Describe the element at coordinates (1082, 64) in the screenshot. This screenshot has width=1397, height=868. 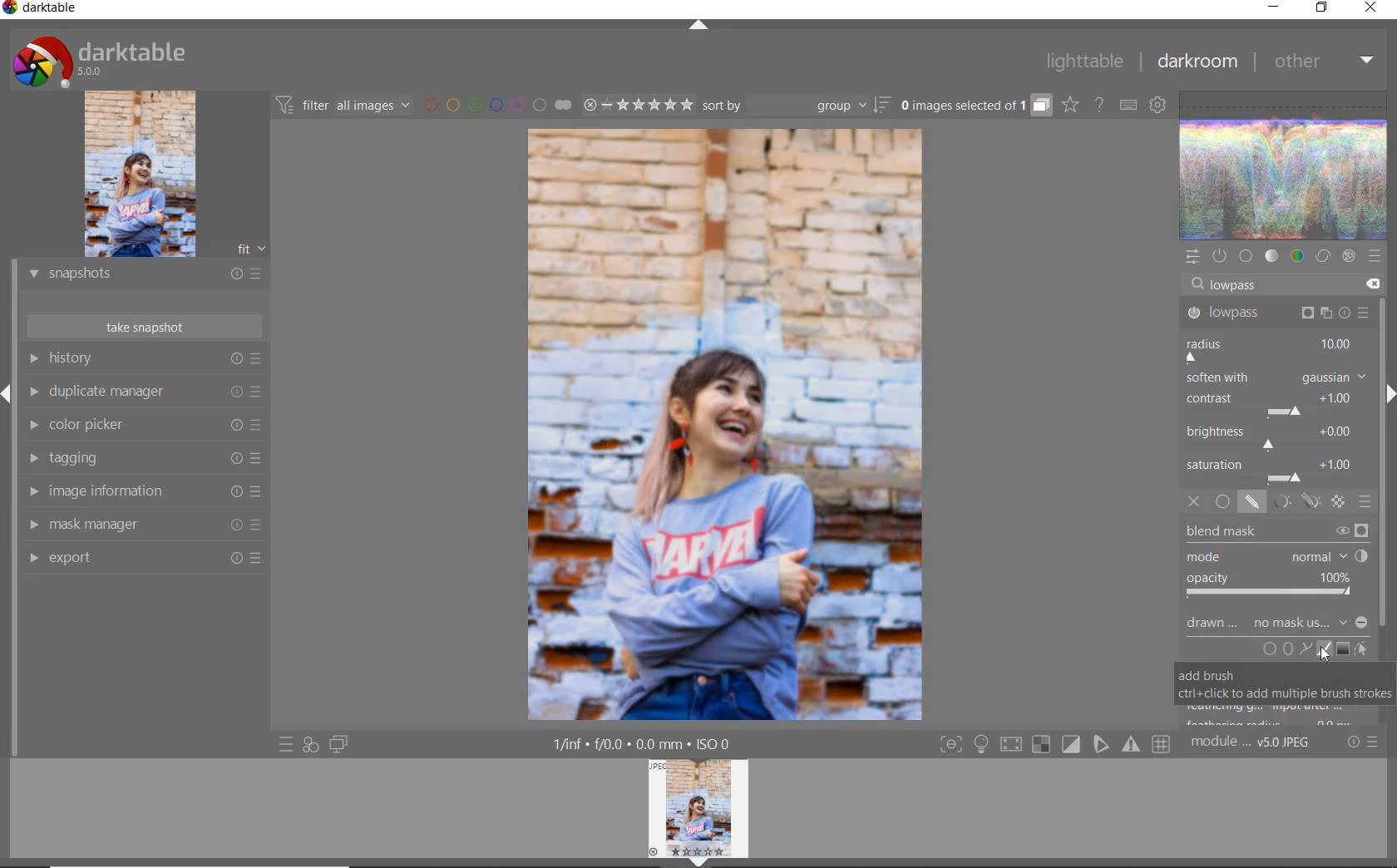
I see `lighttable` at that location.